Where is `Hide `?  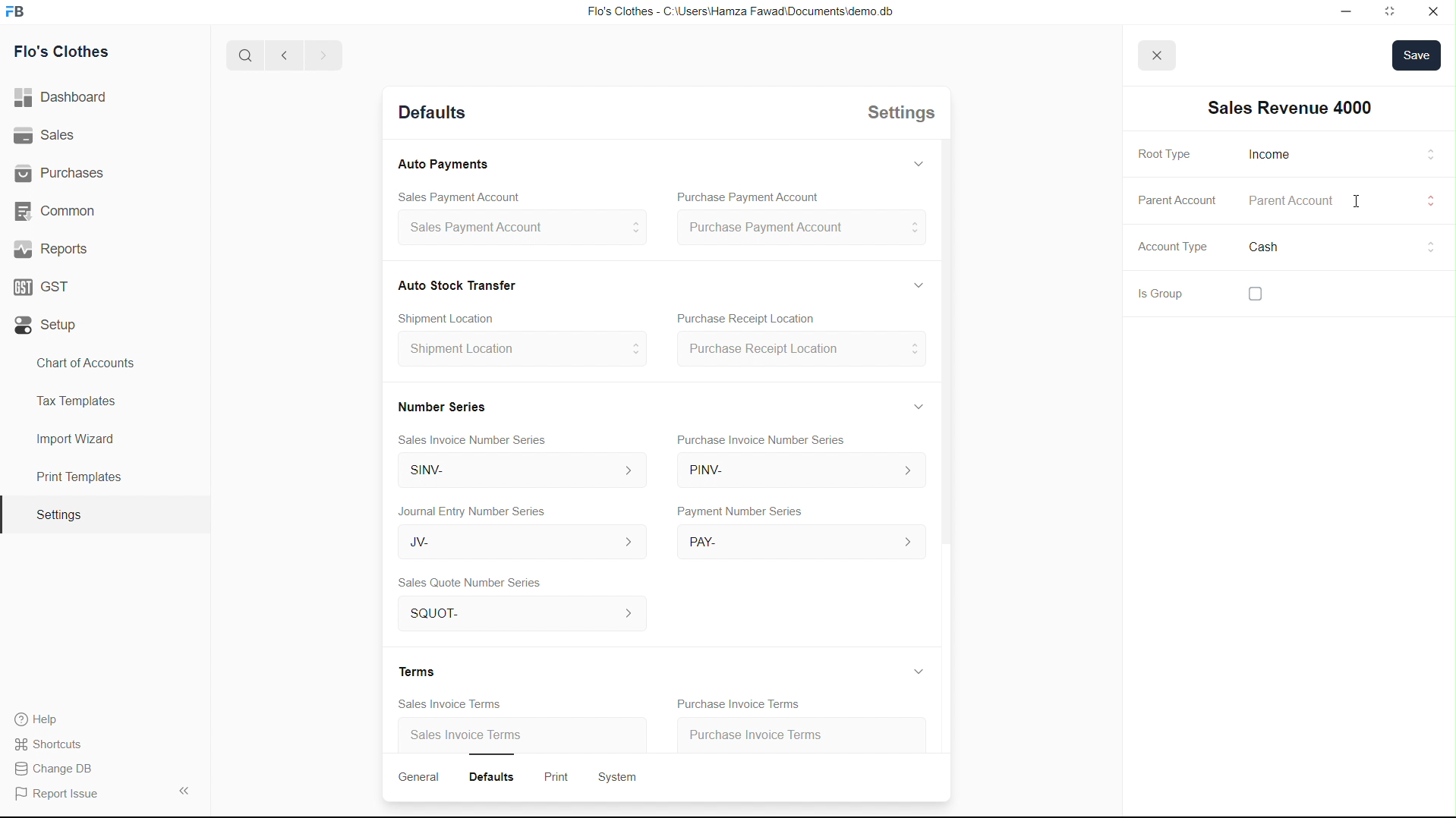 Hide  is located at coordinates (916, 671).